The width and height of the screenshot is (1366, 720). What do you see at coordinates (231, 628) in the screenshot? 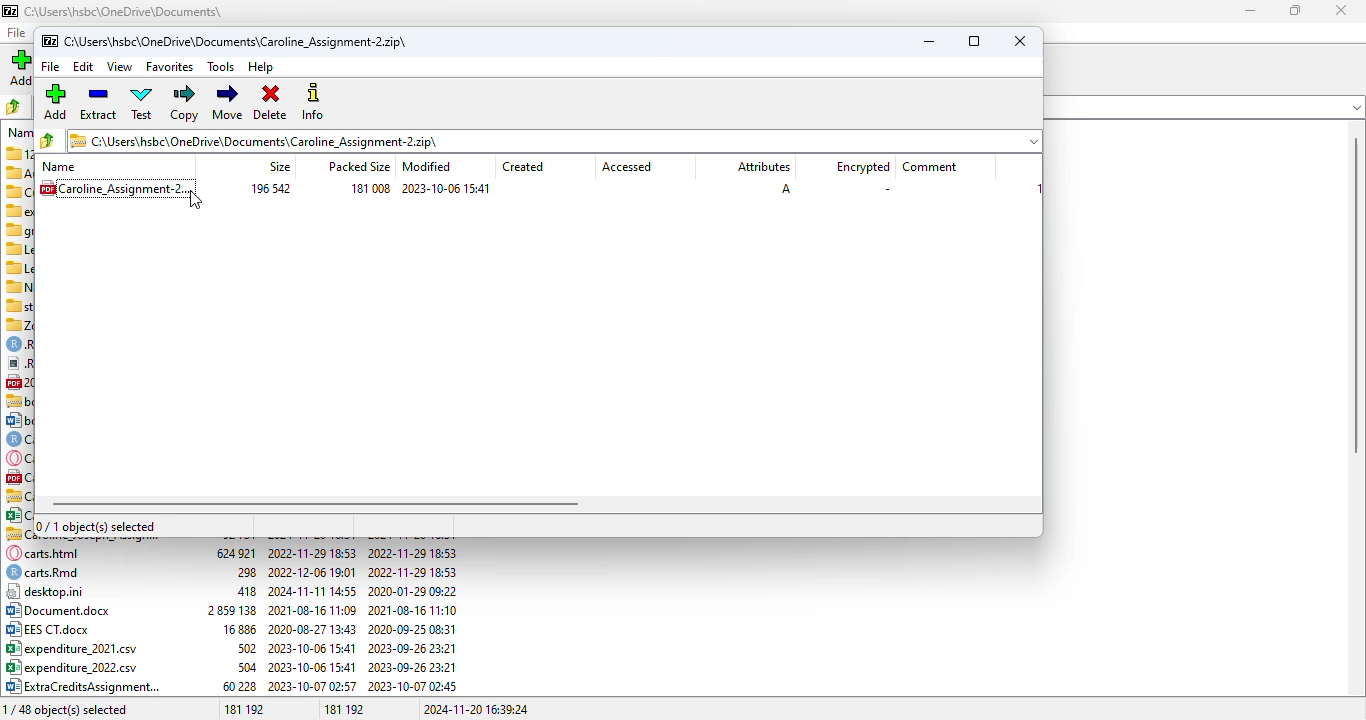
I see `B32 EES CT.doox 16886 2020-08-27 13:43 2020-09-25 08:31` at bounding box center [231, 628].